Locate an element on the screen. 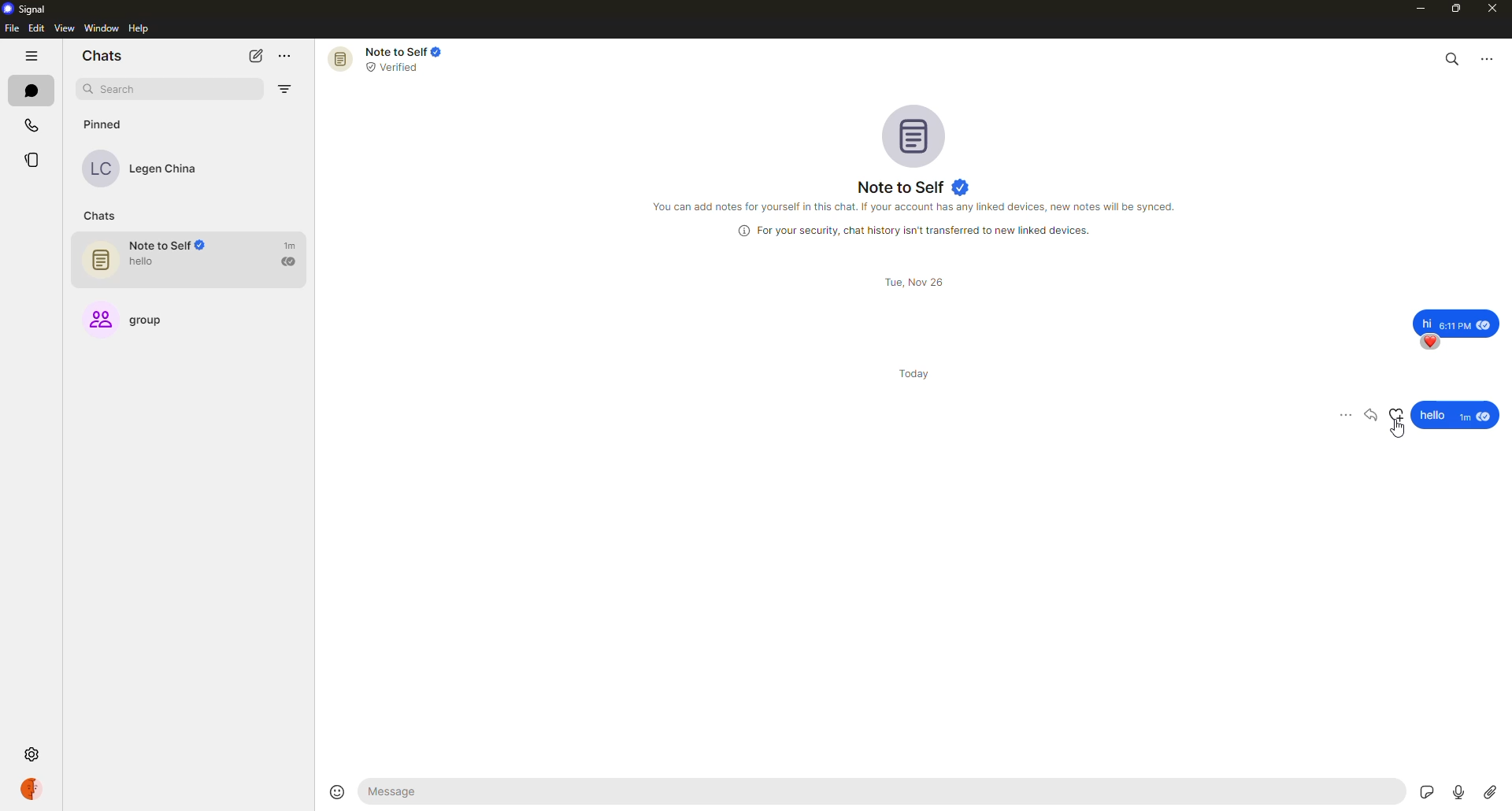 Image resolution: width=1512 pixels, height=811 pixels. more is located at coordinates (1488, 57).